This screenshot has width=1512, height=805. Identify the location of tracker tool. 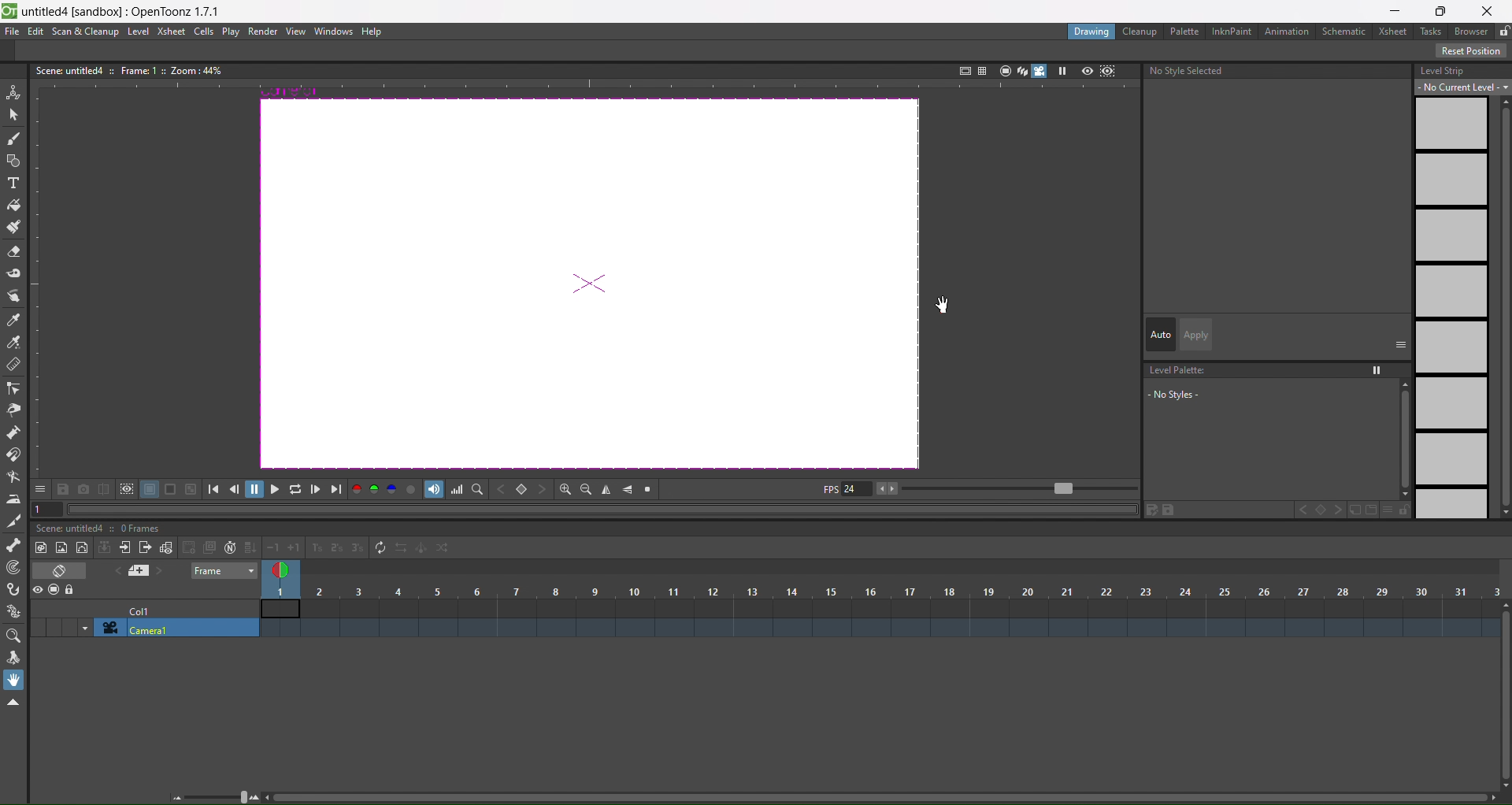
(15, 568).